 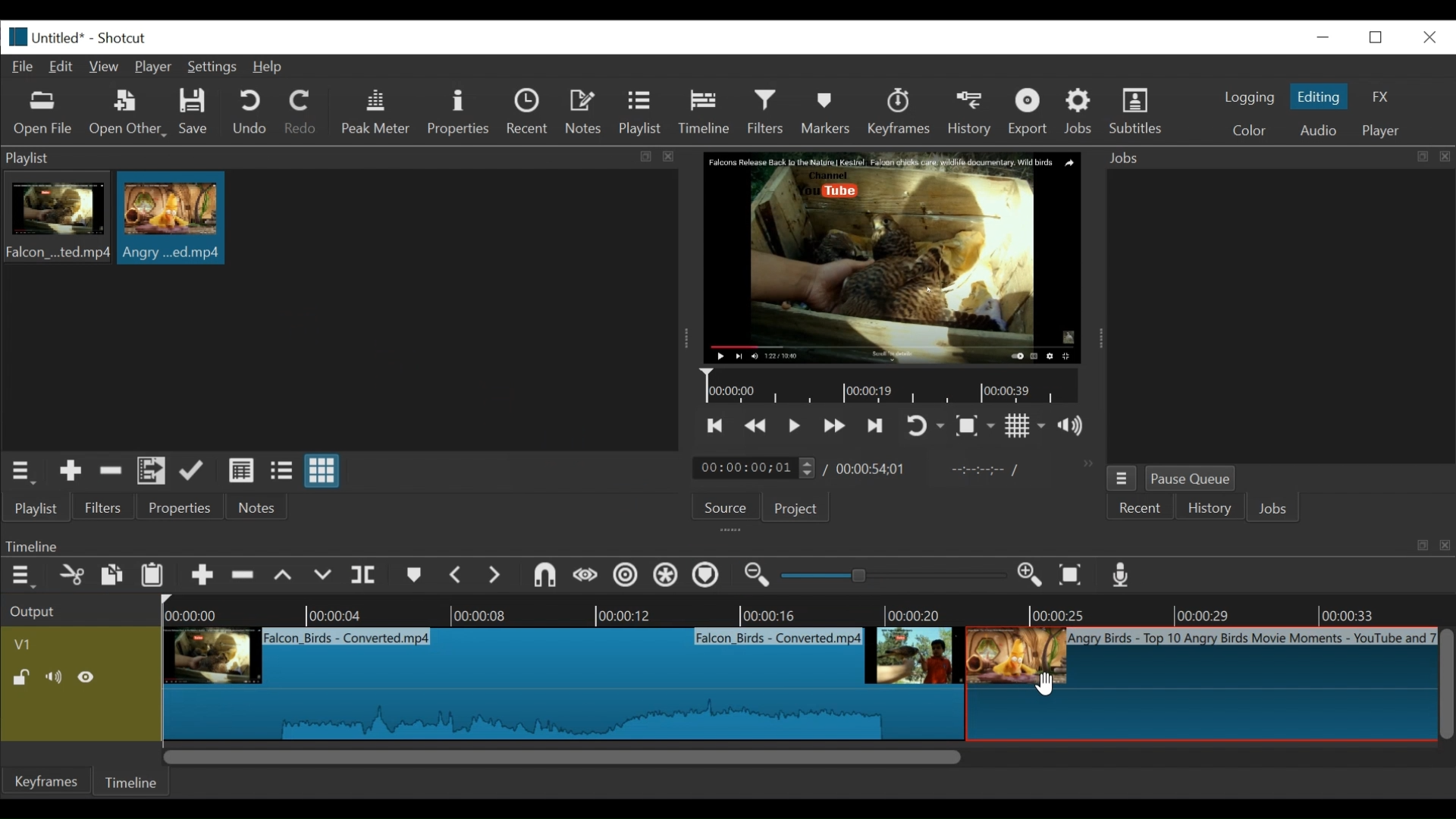 I want to click on clip, so click(x=560, y=679).